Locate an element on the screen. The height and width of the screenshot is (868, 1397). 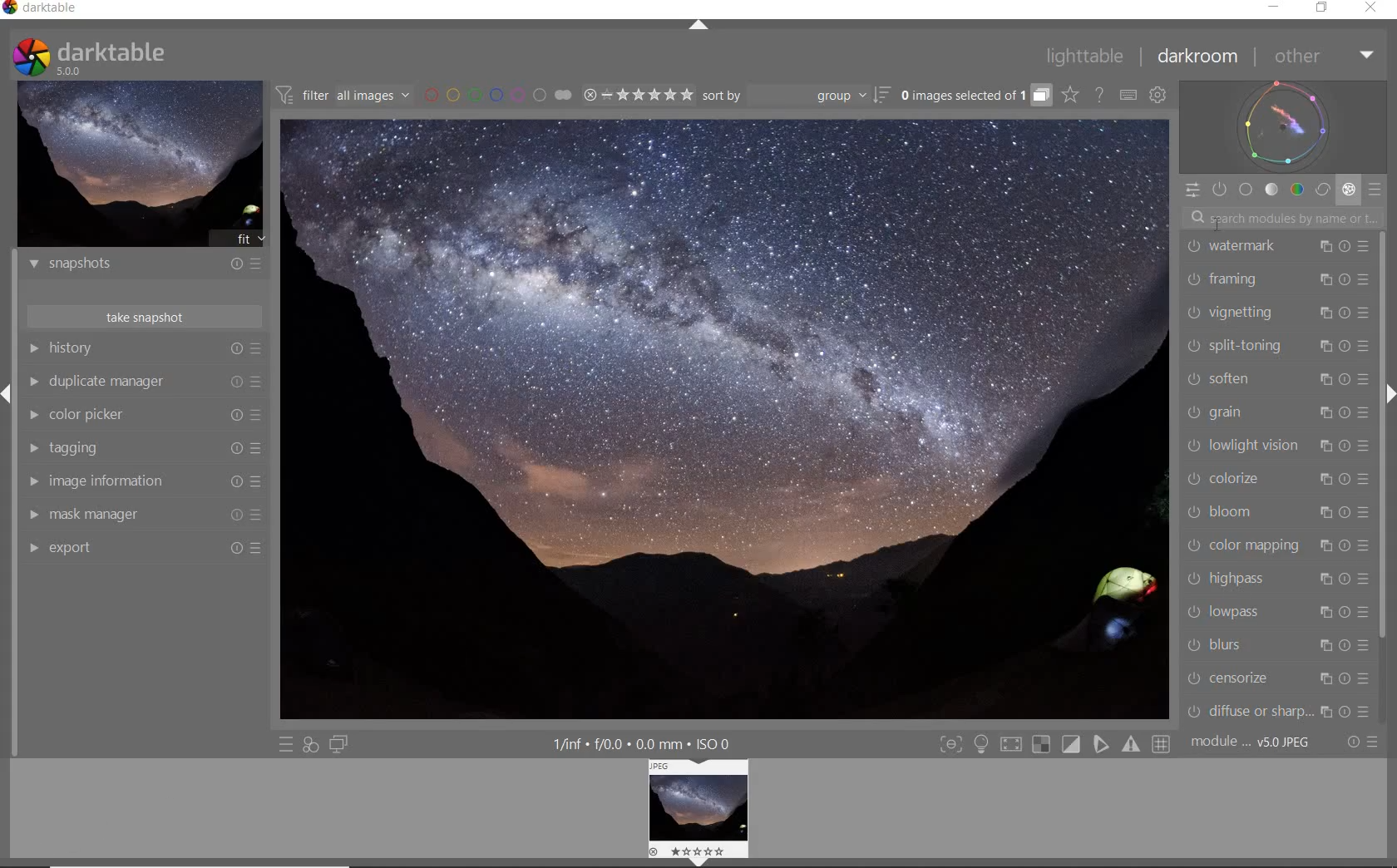
LIGHTTABLE is located at coordinates (1093, 55).